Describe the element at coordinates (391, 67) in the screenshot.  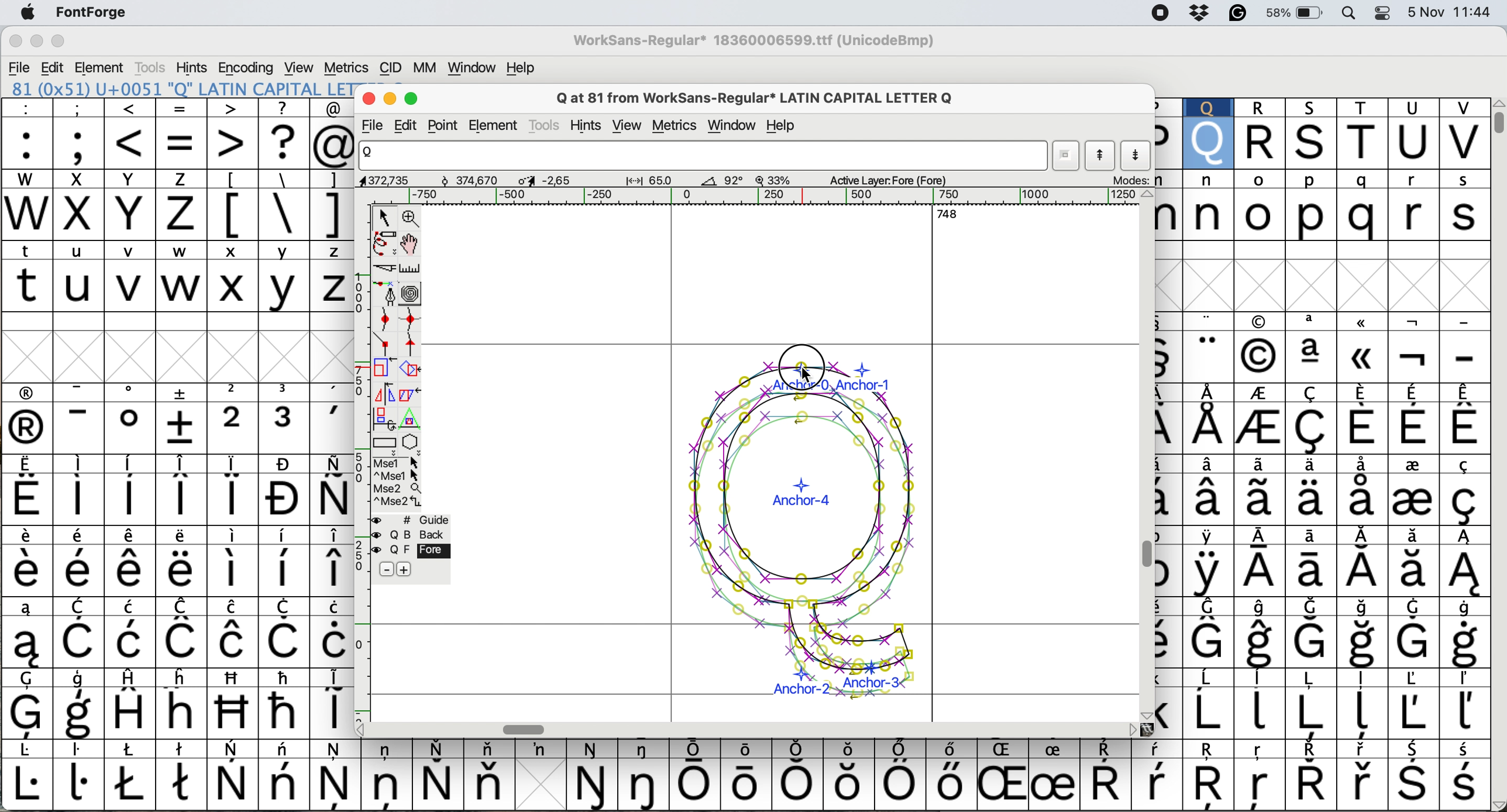
I see `cid` at that location.